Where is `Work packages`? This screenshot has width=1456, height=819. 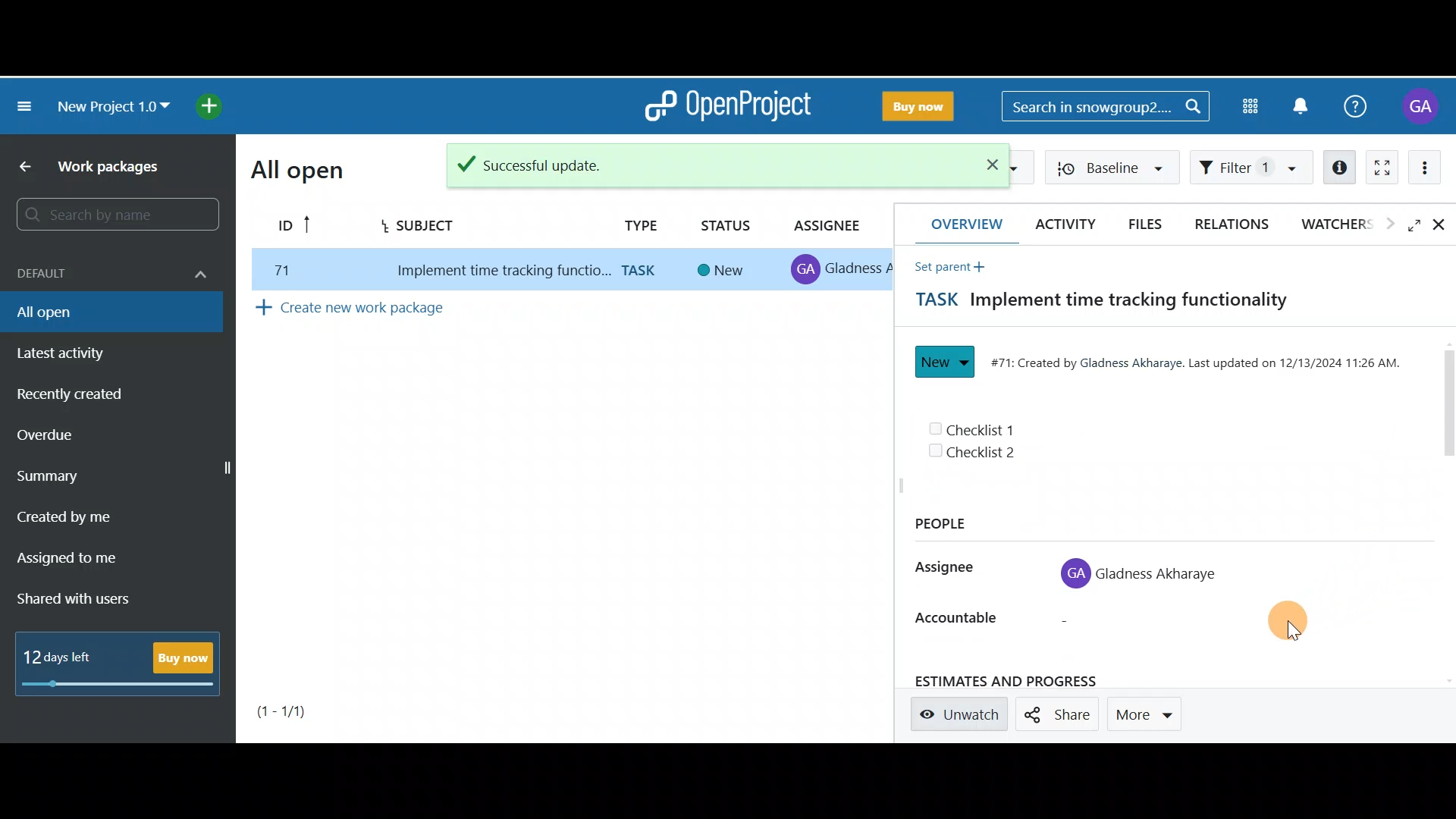
Work packages is located at coordinates (99, 166).